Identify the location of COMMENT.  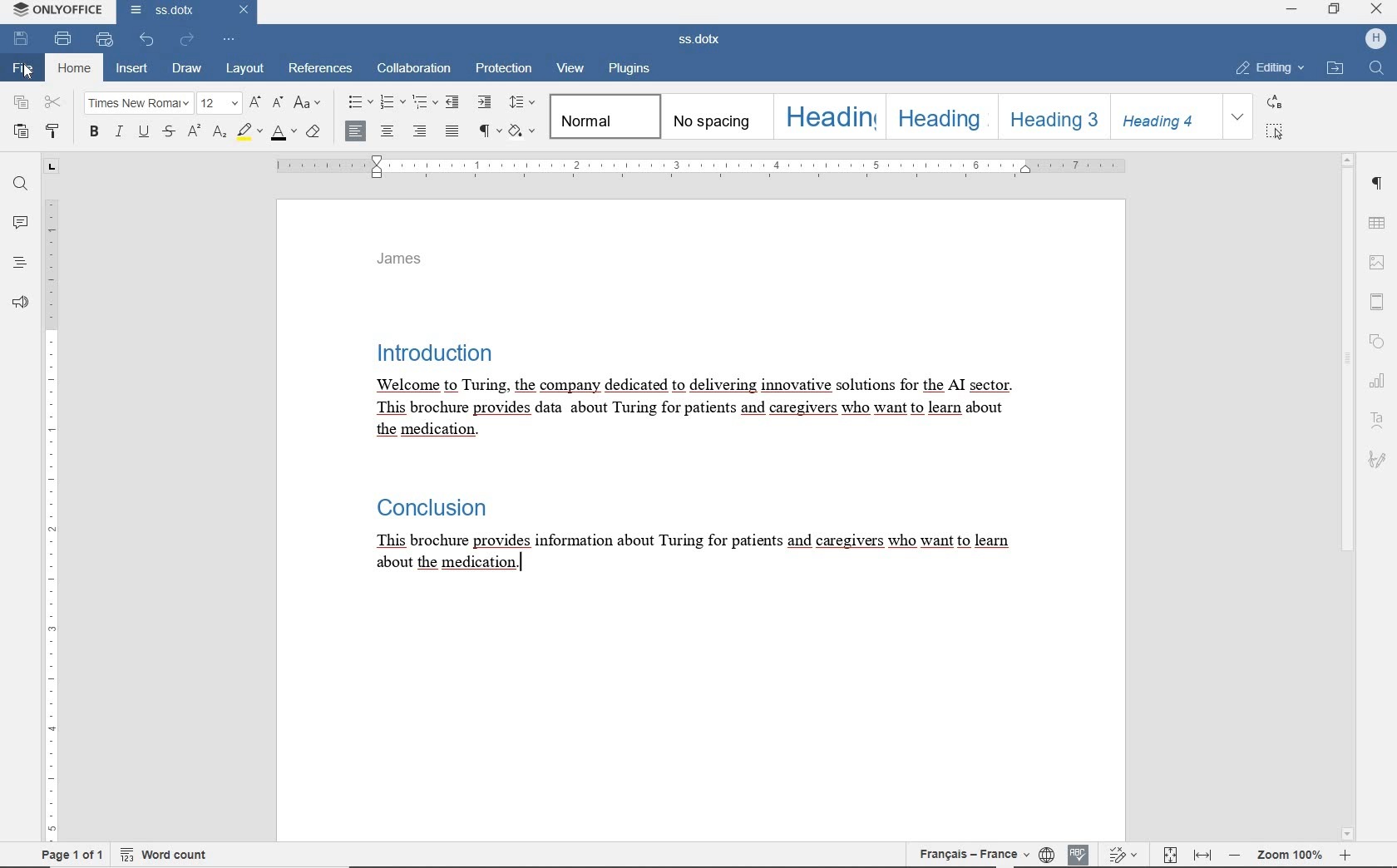
(19, 224).